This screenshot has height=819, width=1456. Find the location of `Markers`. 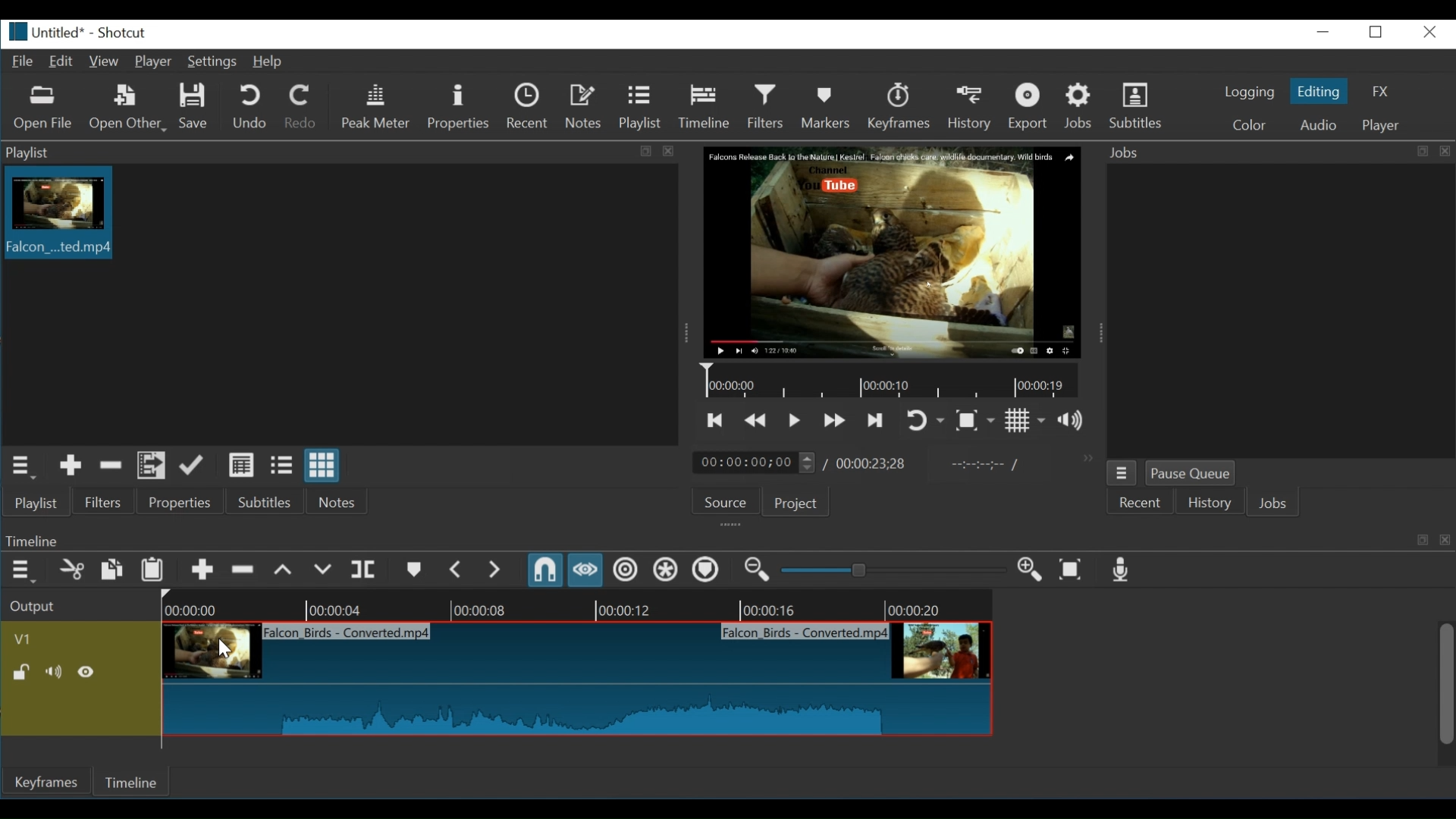

Markers is located at coordinates (827, 106).